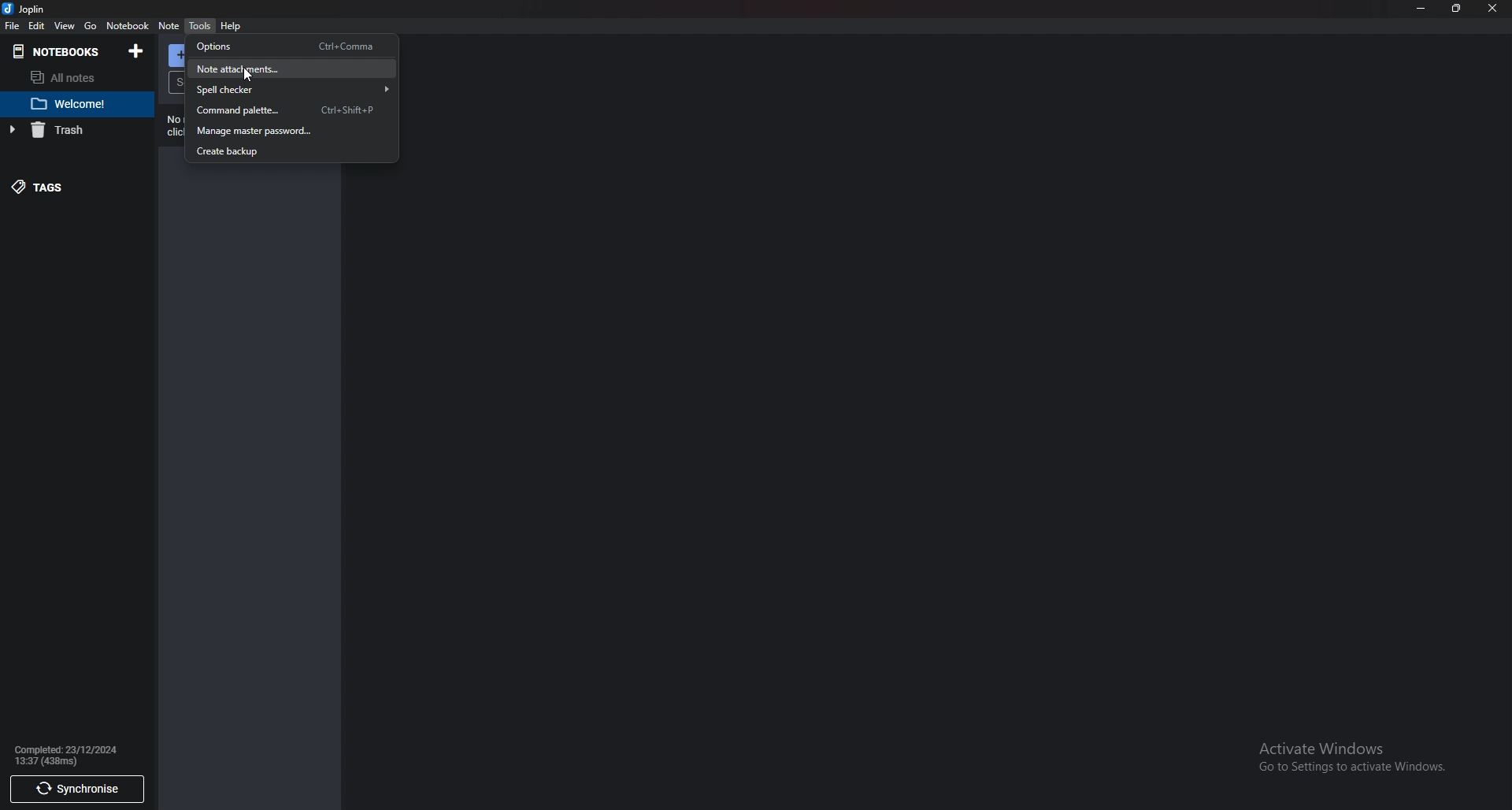 Image resolution: width=1512 pixels, height=810 pixels. What do you see at coordinates (288, 46) in the screenshot?
I see `Options` at bounding box center [288, 46].